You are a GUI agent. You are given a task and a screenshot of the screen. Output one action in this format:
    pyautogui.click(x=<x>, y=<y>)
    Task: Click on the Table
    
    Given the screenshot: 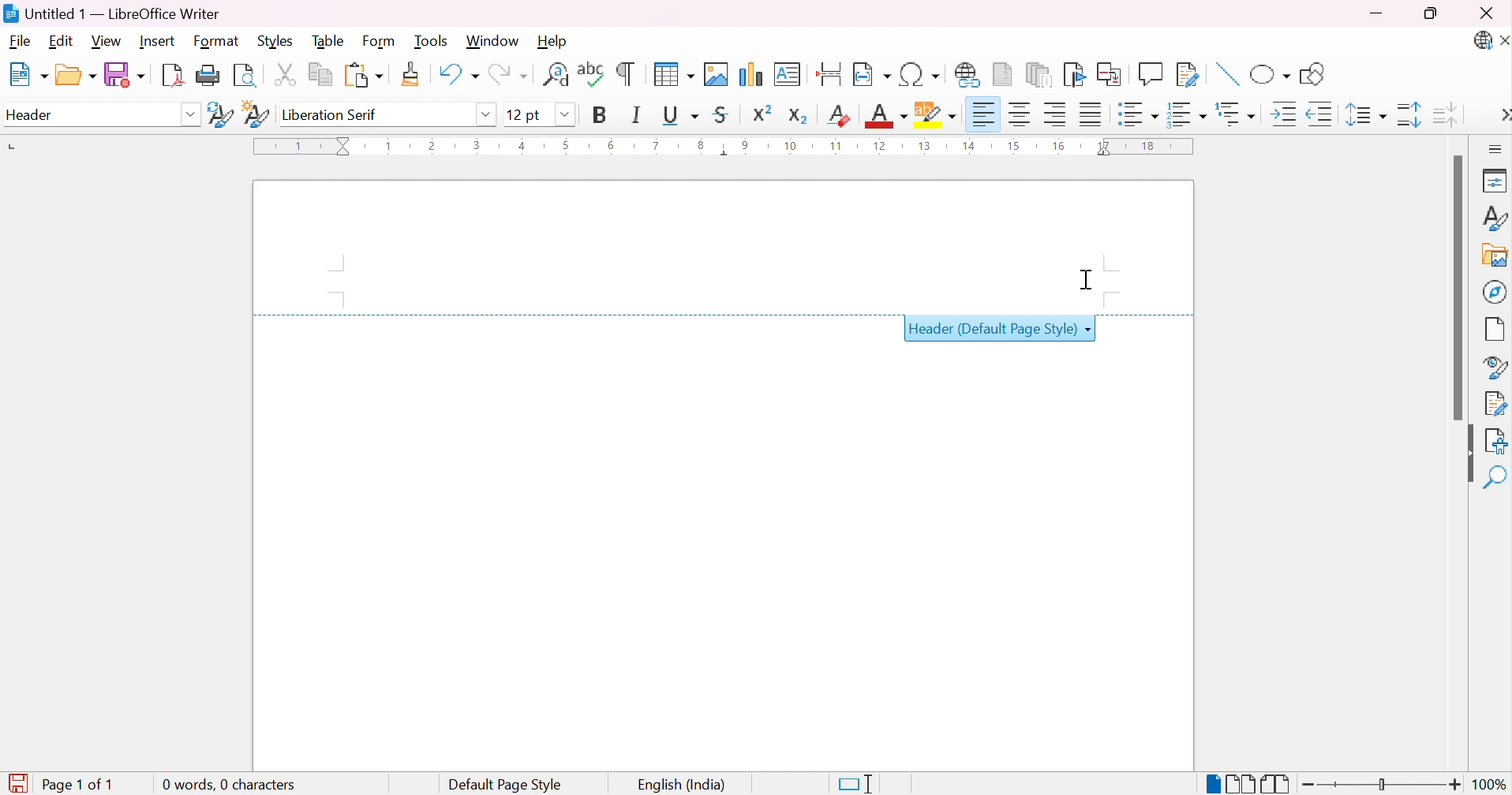 What is the action you would take?
    pyautogui.click(x=331, y=43)
    